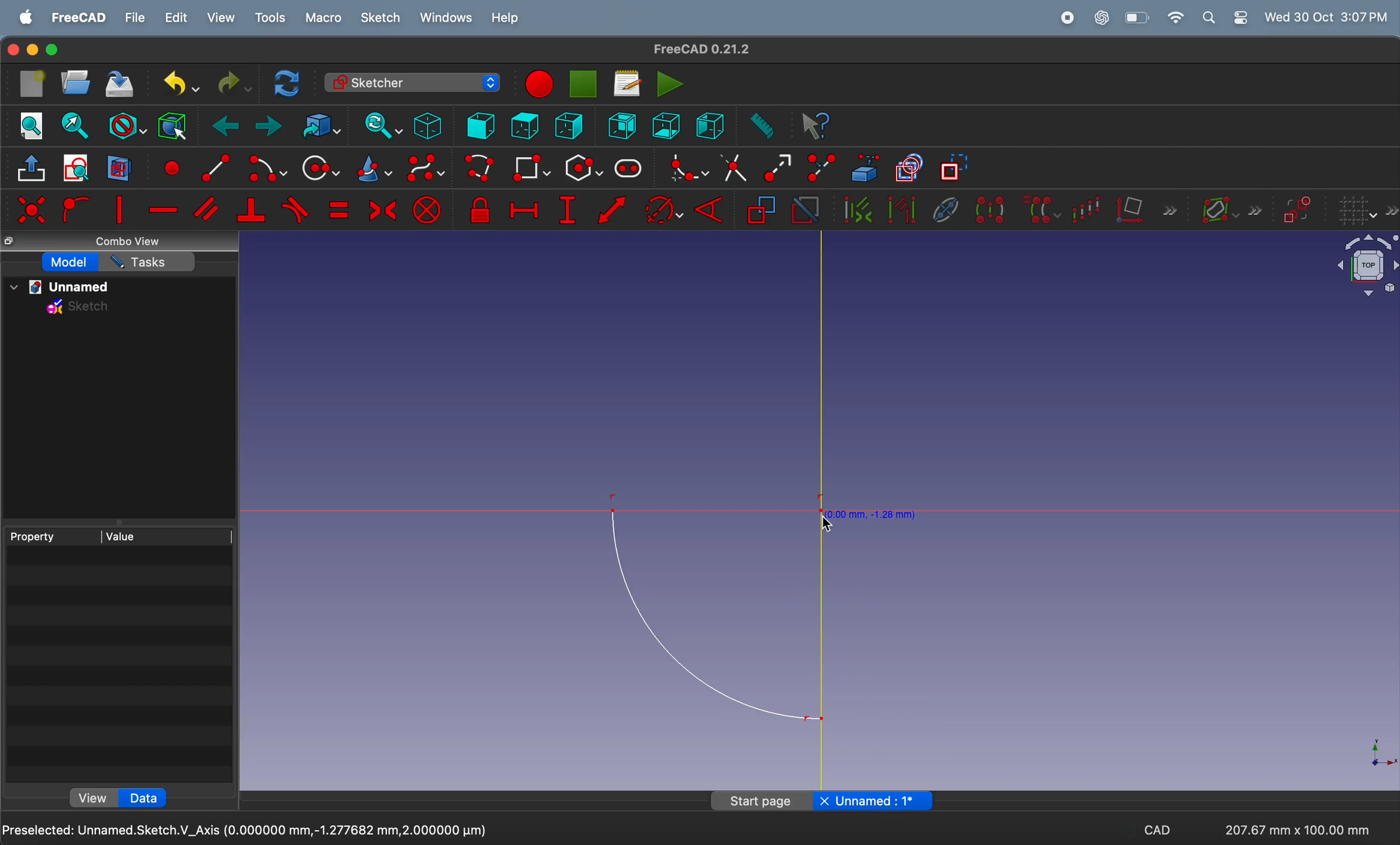 This screenshot has width=1400, height=845. Describe the element at coordinates (613, 213) in the screenshot. I see `constrain distance` at that location.